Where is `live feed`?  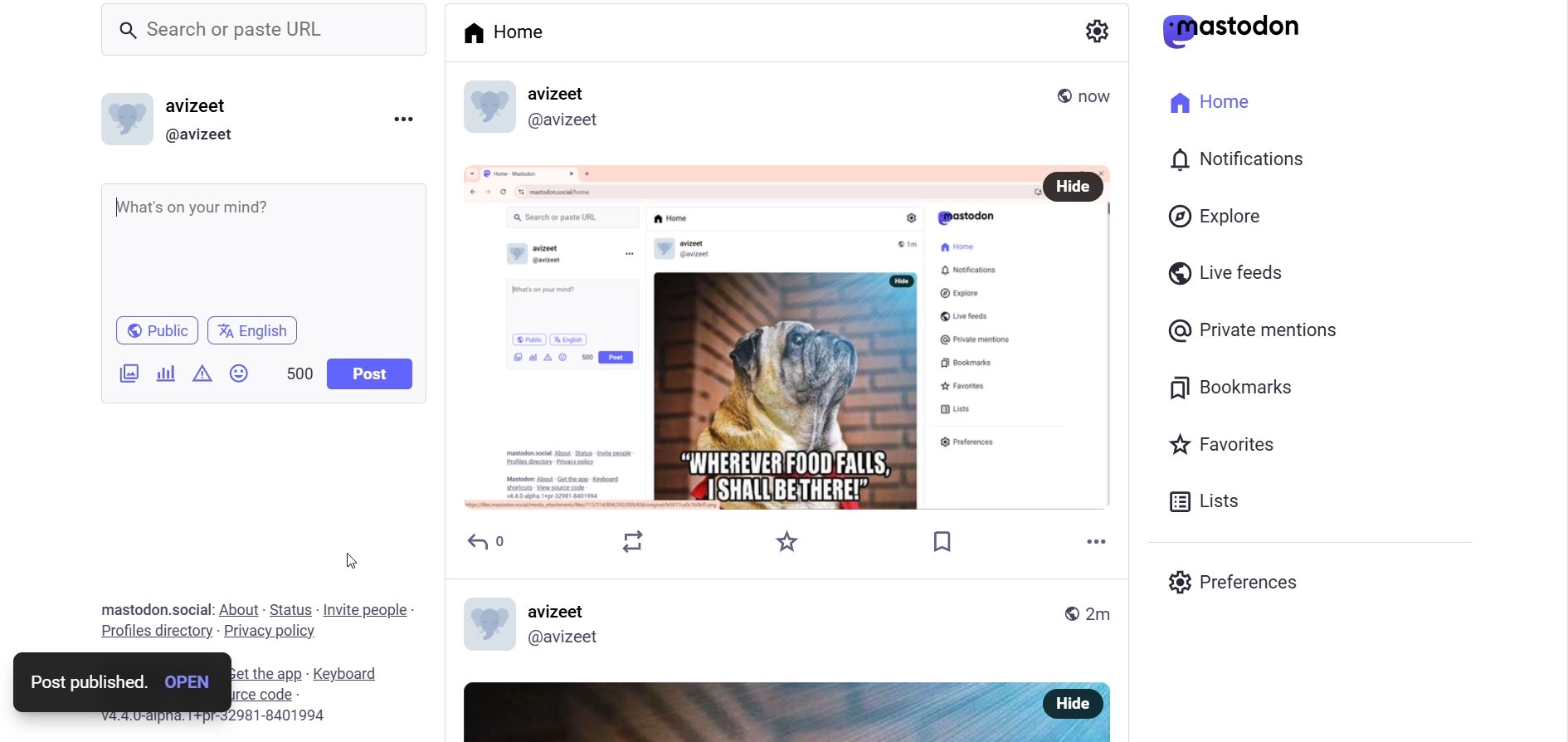
live feed is located at coordinates (1221, 271).